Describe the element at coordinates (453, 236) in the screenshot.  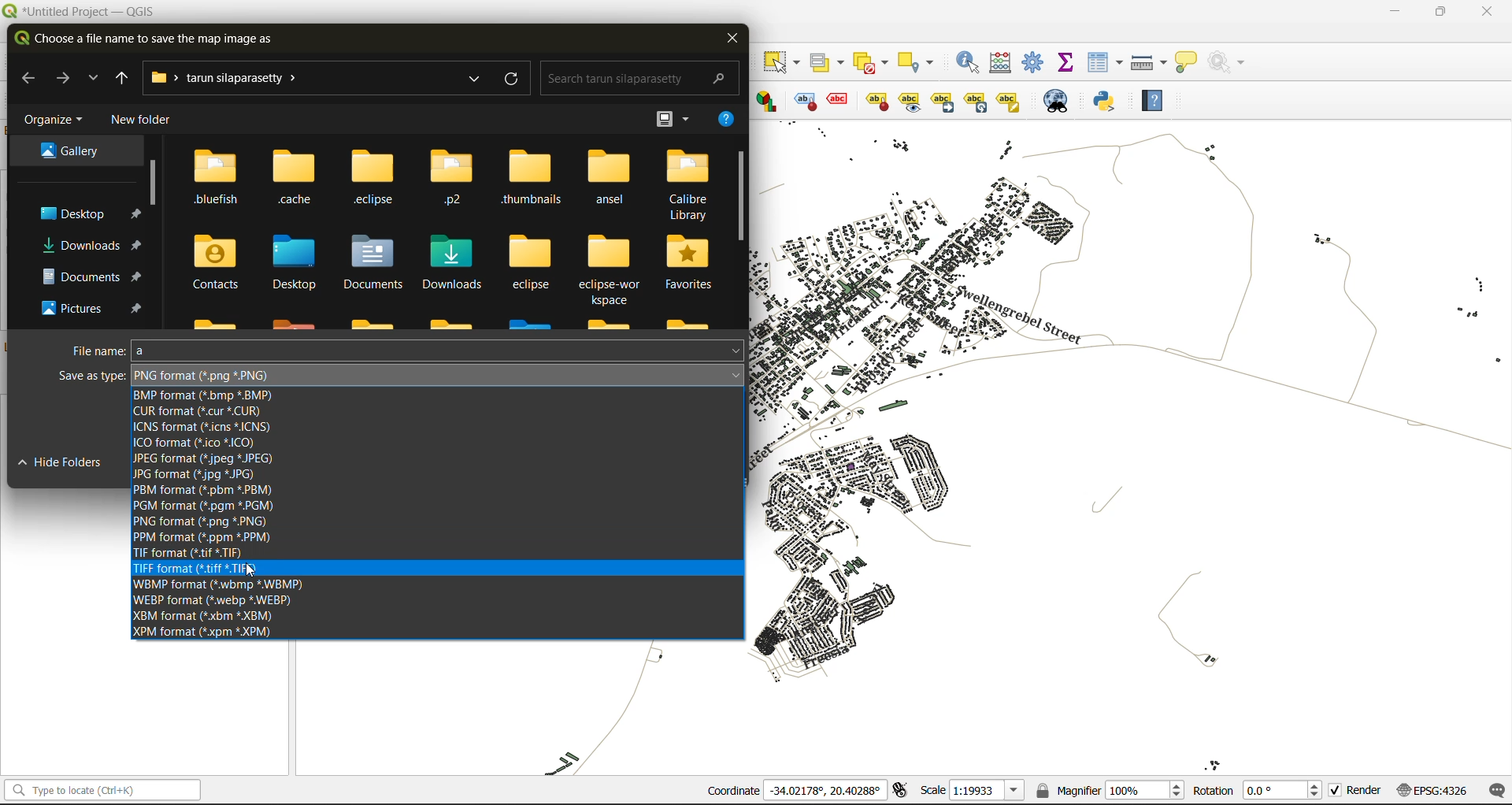
I see `folders` at that location.